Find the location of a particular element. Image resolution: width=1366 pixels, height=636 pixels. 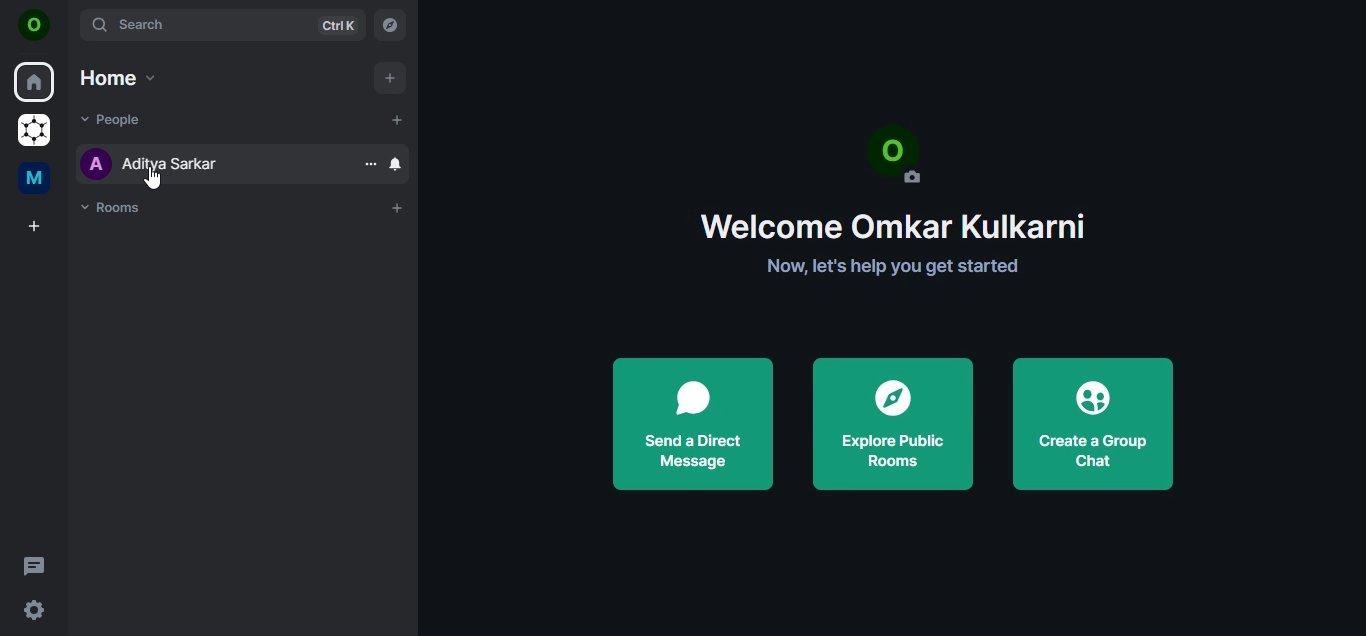

people is located at coordinates (116, 119).